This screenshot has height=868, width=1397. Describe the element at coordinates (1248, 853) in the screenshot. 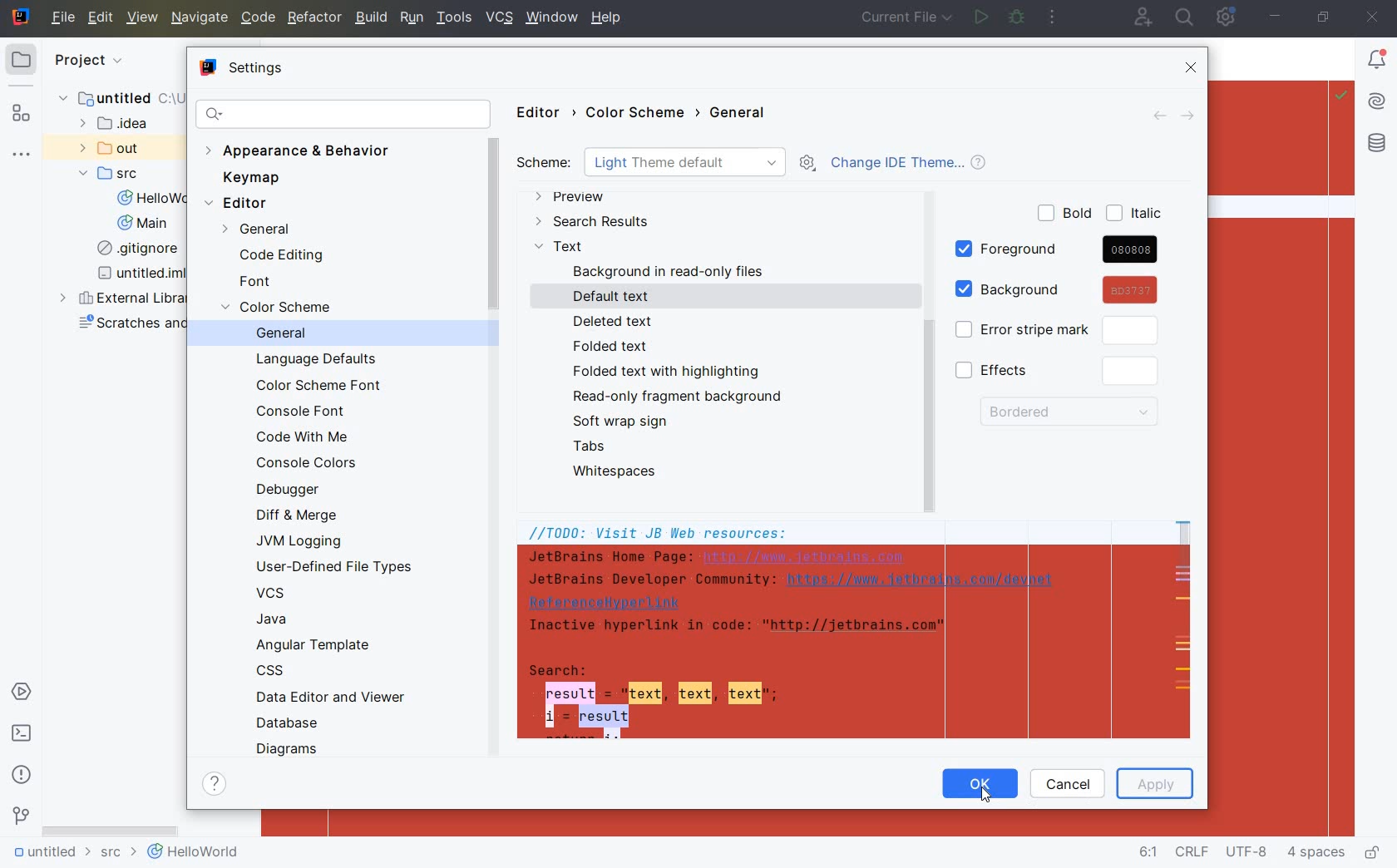

I see `file encoding` at that location.